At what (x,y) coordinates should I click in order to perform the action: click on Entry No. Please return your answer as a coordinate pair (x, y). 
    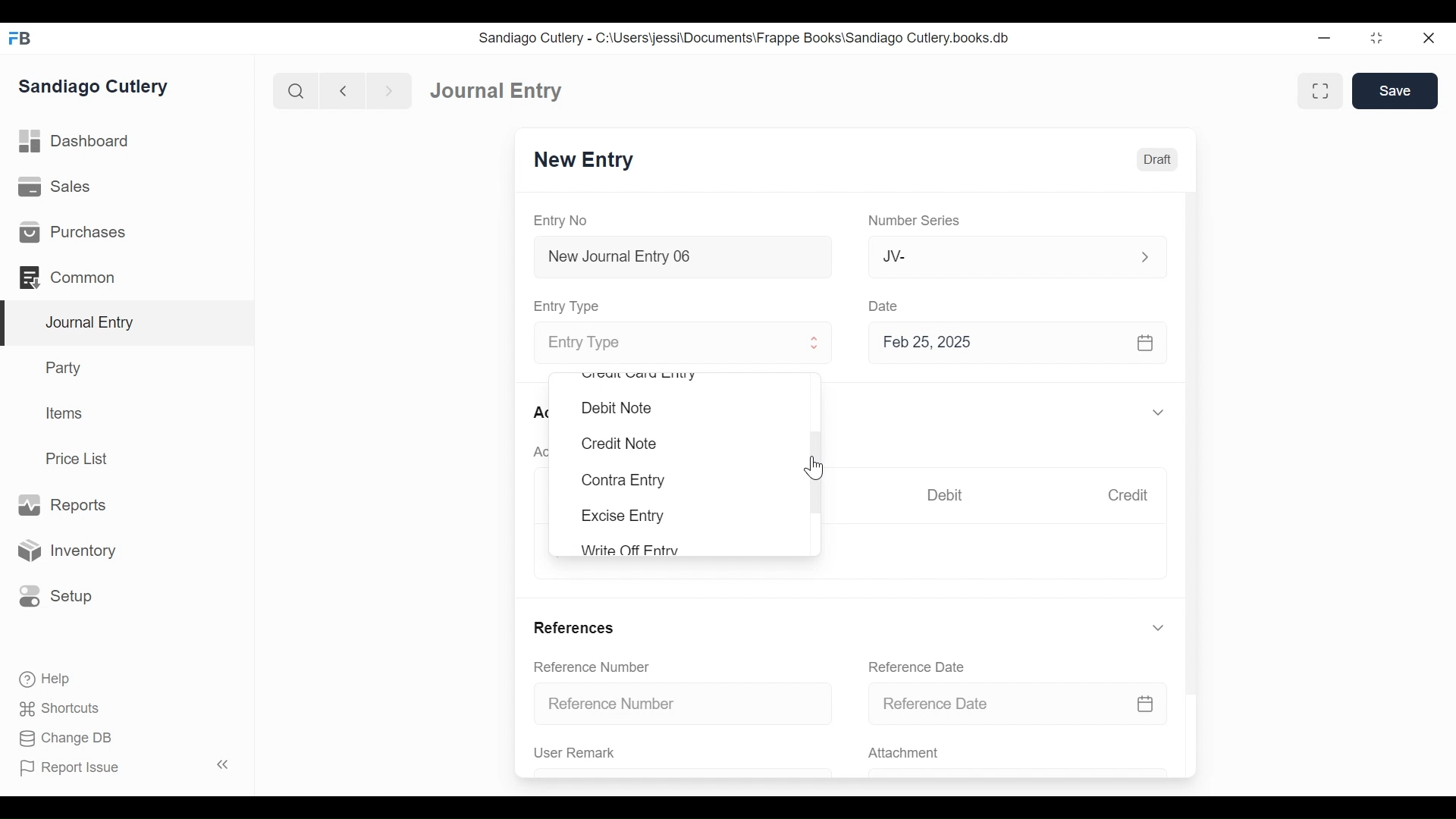
    Looking at the image, I should click on (561, 221).